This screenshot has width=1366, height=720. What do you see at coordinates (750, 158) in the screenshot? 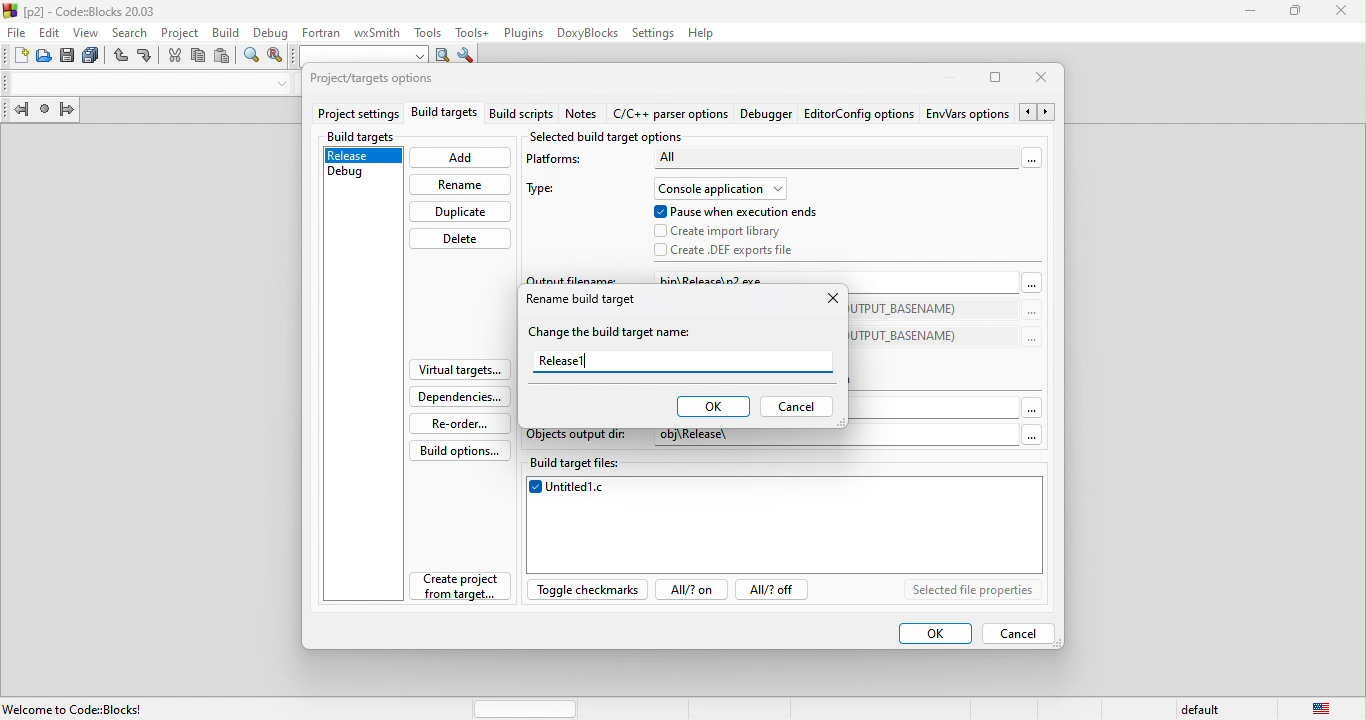
I see `ALL` at bounding box center [750, 158].